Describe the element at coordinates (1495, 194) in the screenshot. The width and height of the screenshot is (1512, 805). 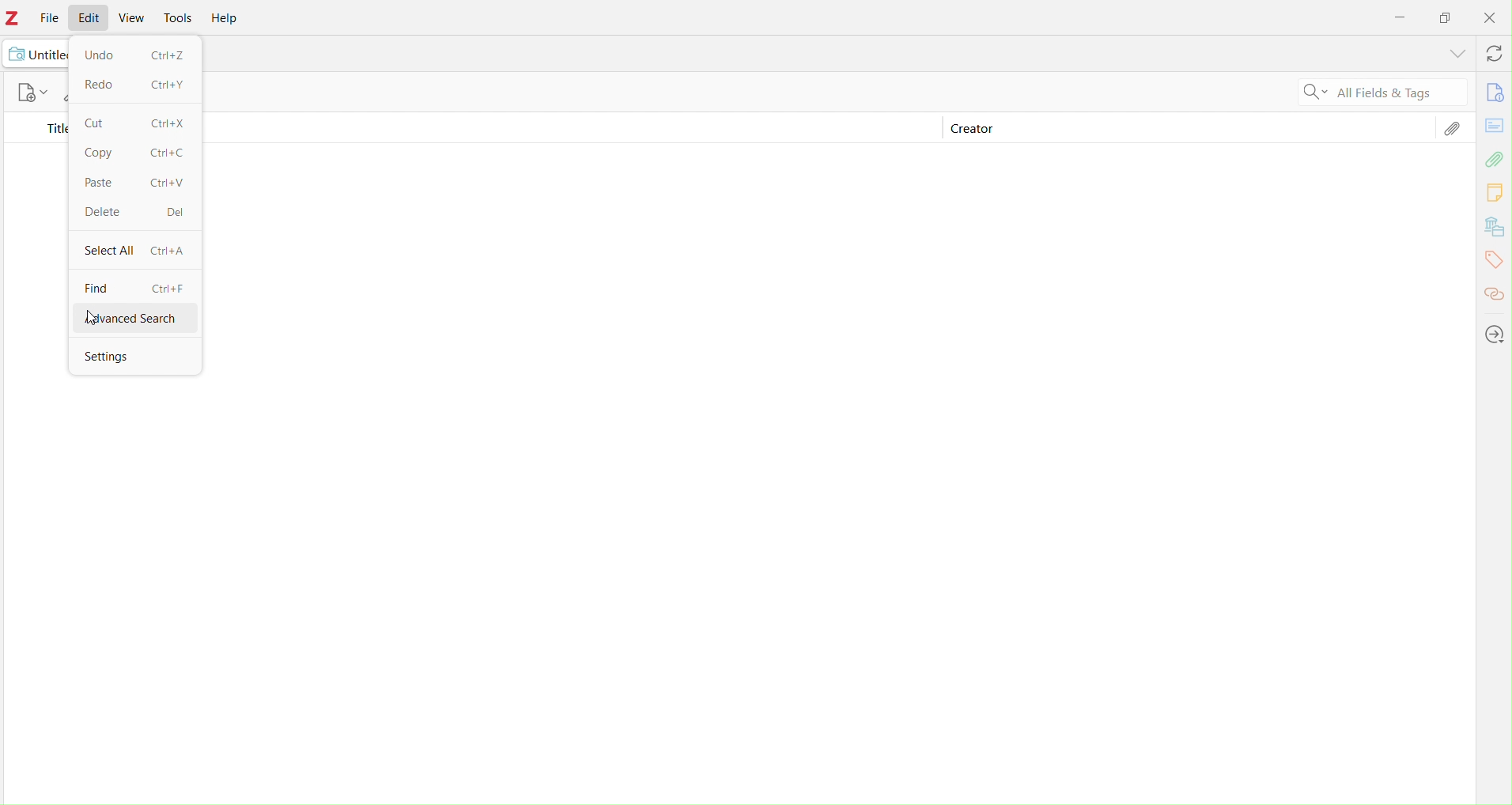
I see `Comments` at that location.